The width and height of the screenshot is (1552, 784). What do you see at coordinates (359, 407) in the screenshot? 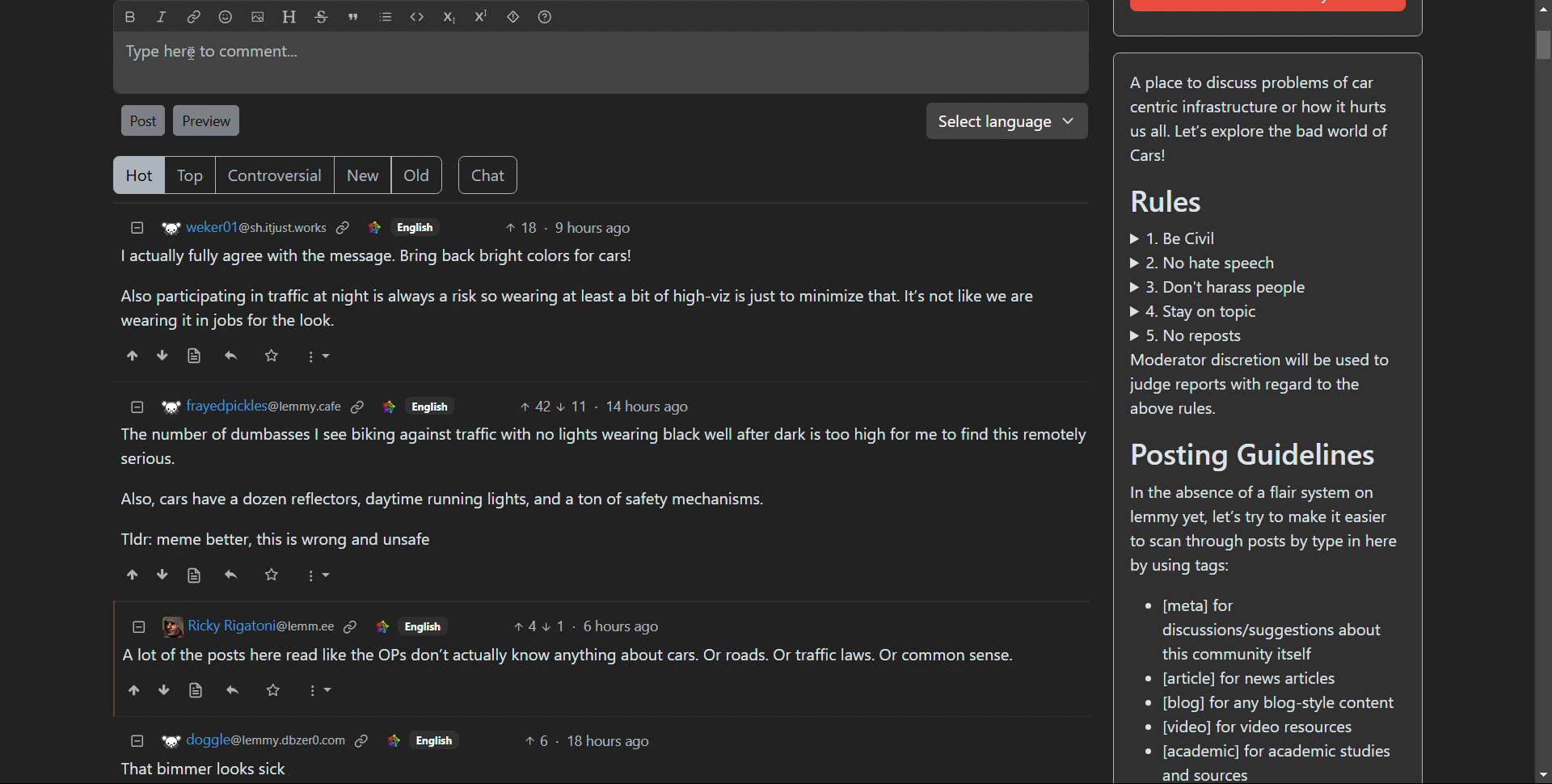
I see `link` at bounding box center [359, 407].